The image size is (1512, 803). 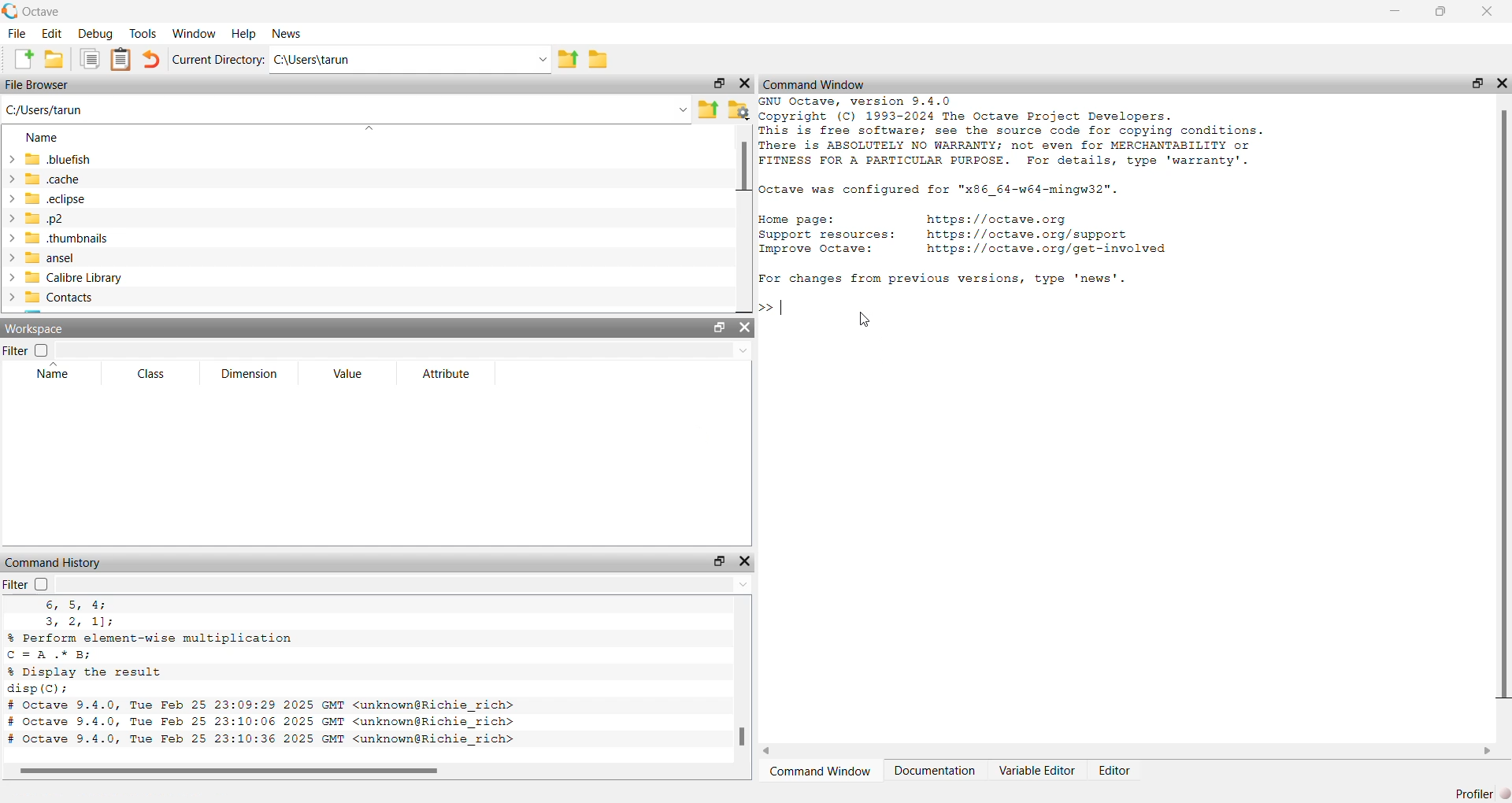 What do you see at coordinates (66, 239) in the screenshot?
I see `thumbnails` at bounding box center [66, 239].